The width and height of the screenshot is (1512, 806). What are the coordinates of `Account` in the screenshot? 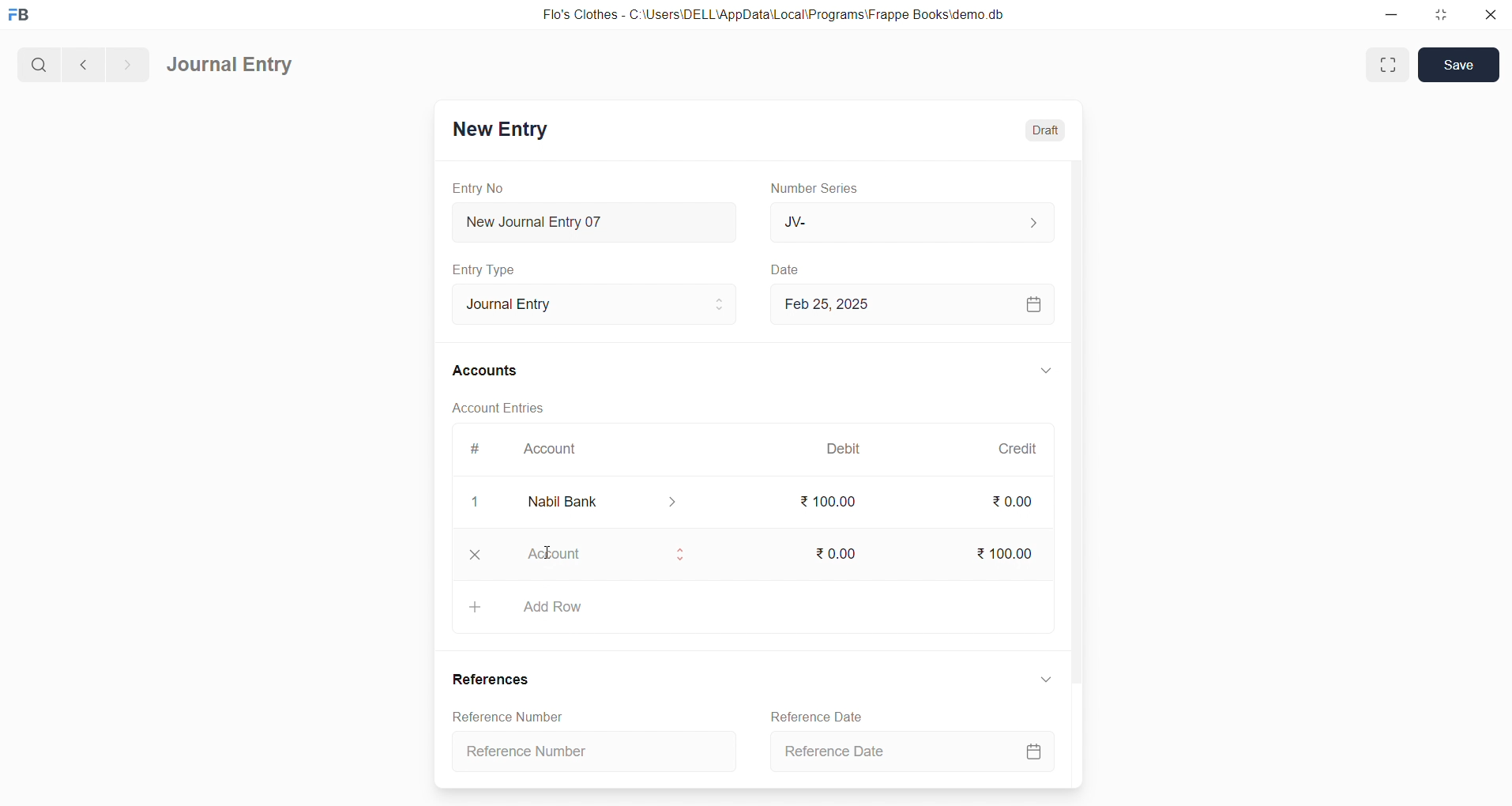 It's located at (553, 450).